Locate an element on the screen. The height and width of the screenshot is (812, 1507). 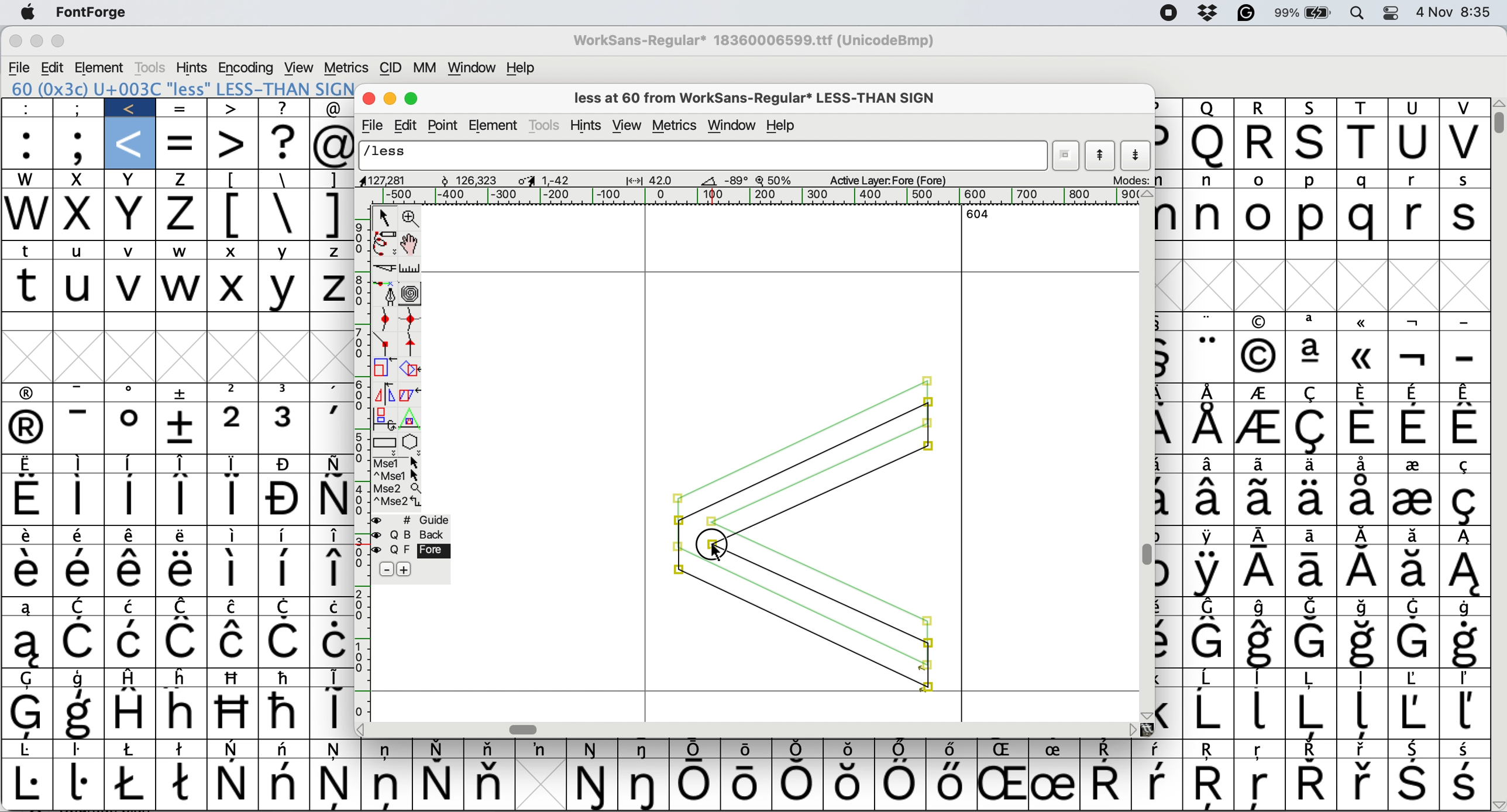
Z is located at coordinates (331, 251).